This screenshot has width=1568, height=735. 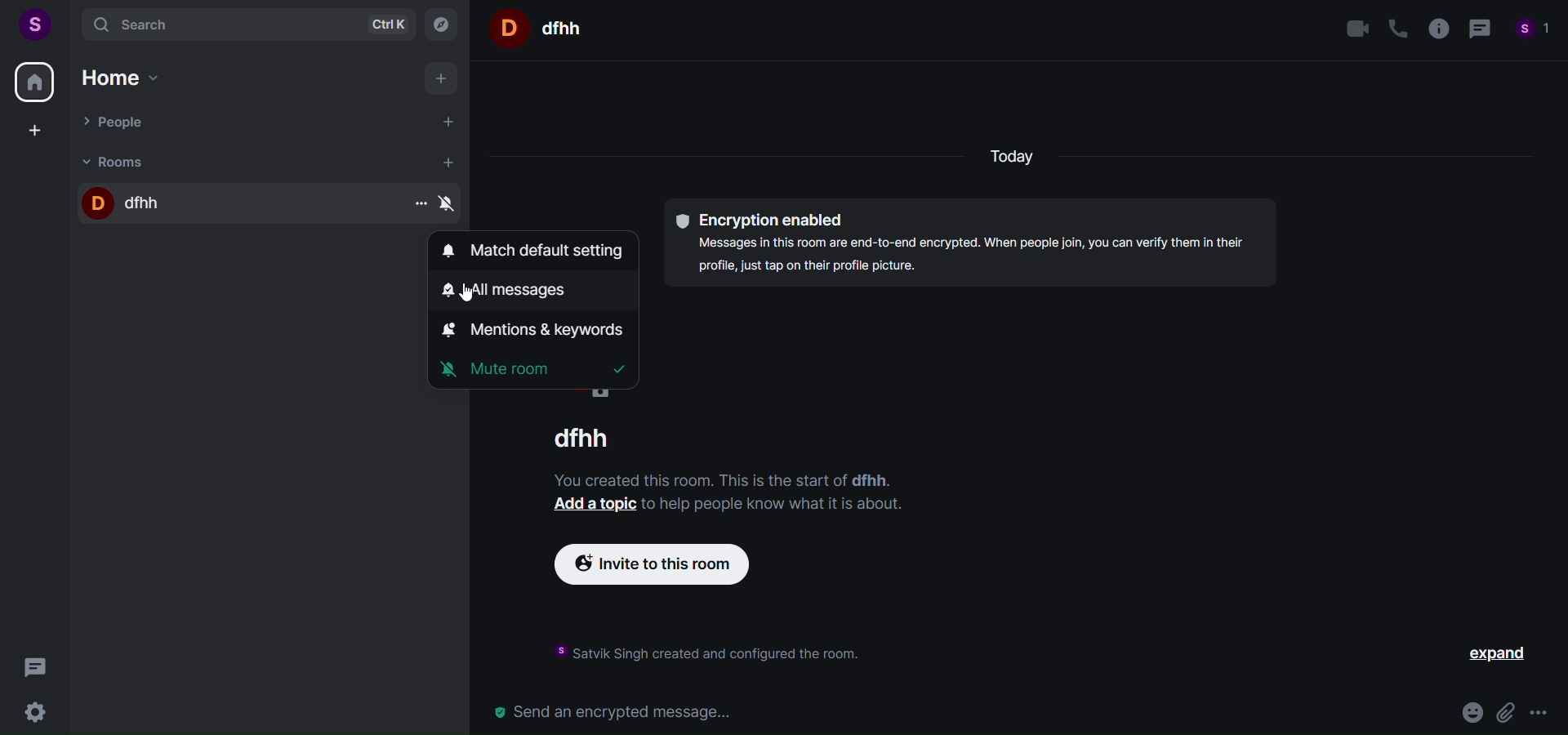 What do you see at coordinates (1470, 710) in the screenshot?
I see `emoji` at bounding box center [1470, 710].